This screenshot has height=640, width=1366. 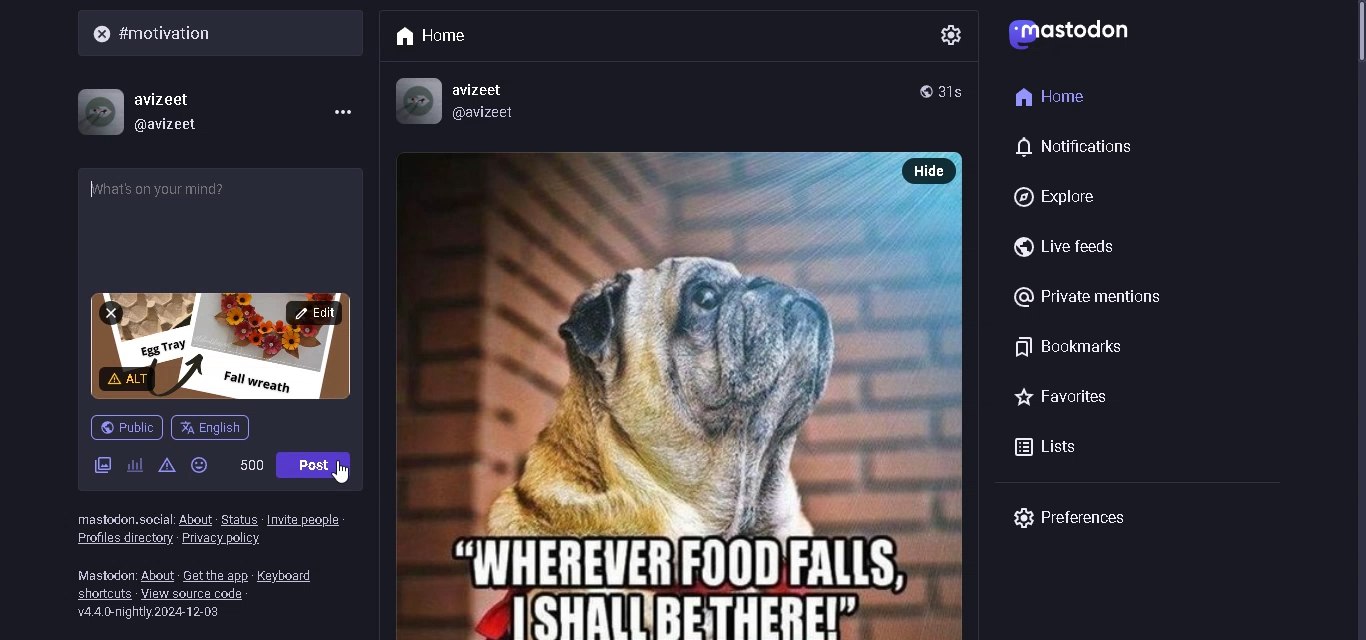 What do you see at coordinates (216, 573) in the screenshot?
I see `get the app` at bounding box center [216, 573].